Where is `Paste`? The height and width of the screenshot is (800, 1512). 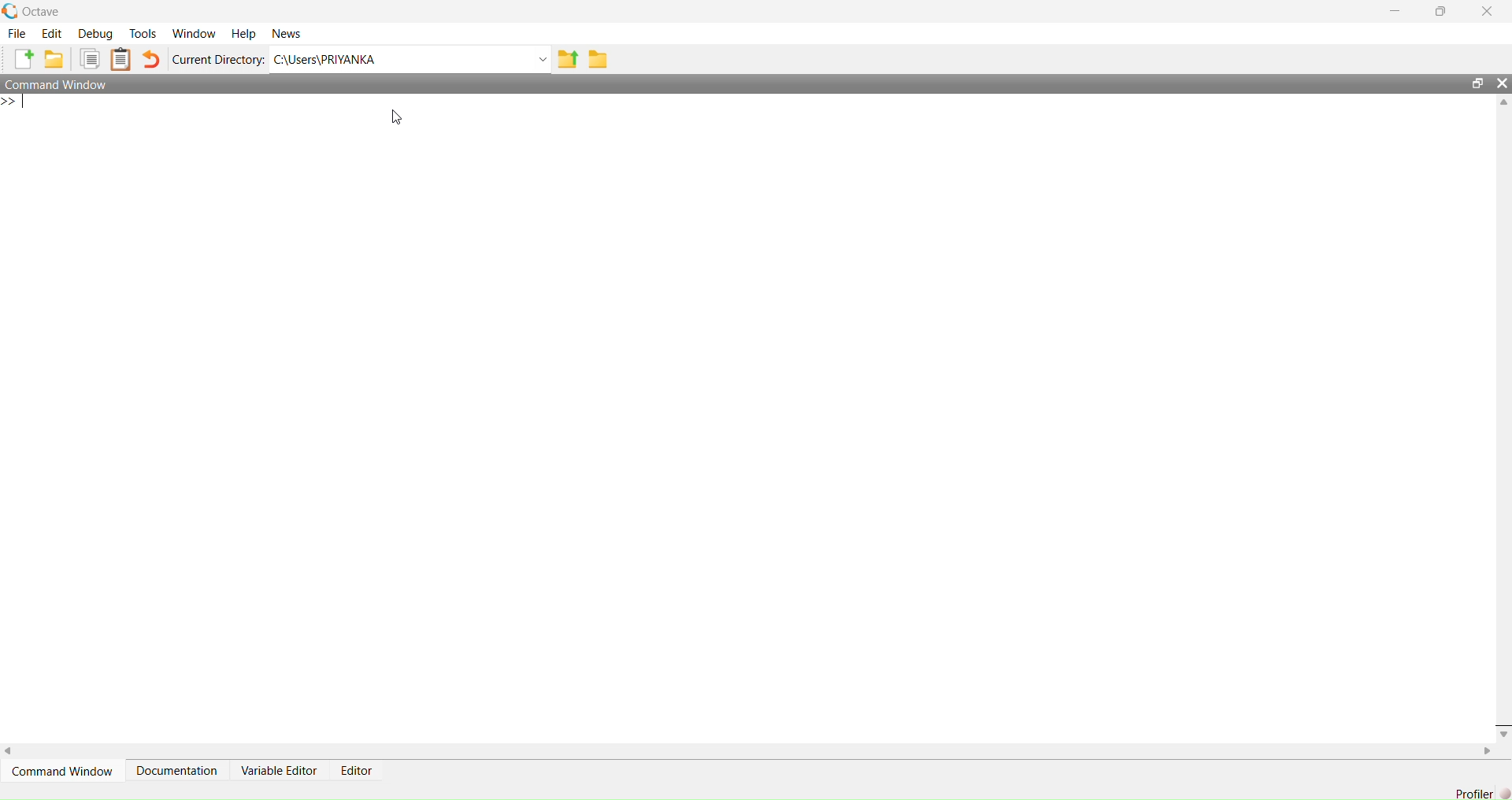 Paste is located at coordinates (122, 60).